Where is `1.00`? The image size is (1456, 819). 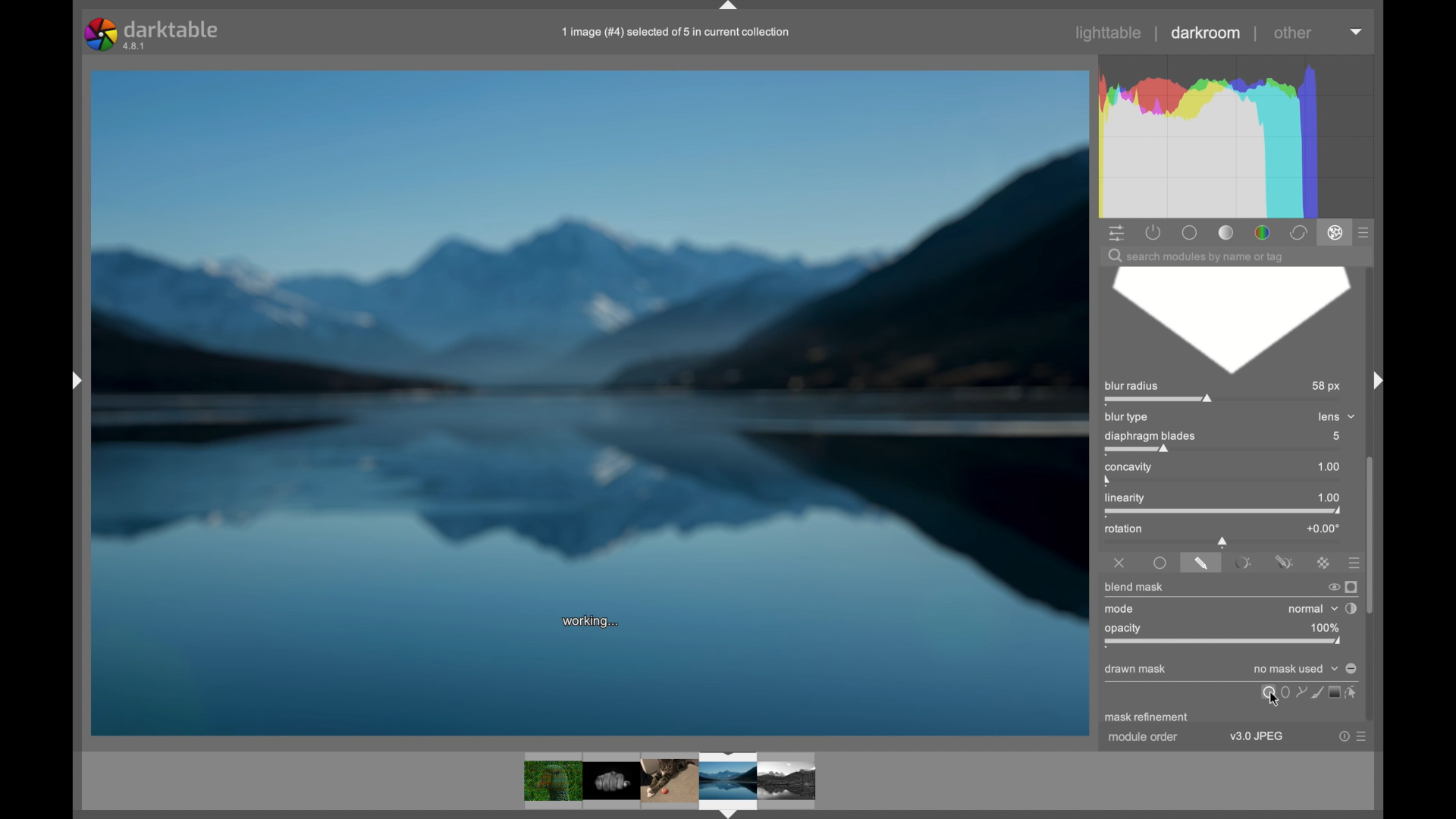 1.00 is located at coordinates (1329, 466).